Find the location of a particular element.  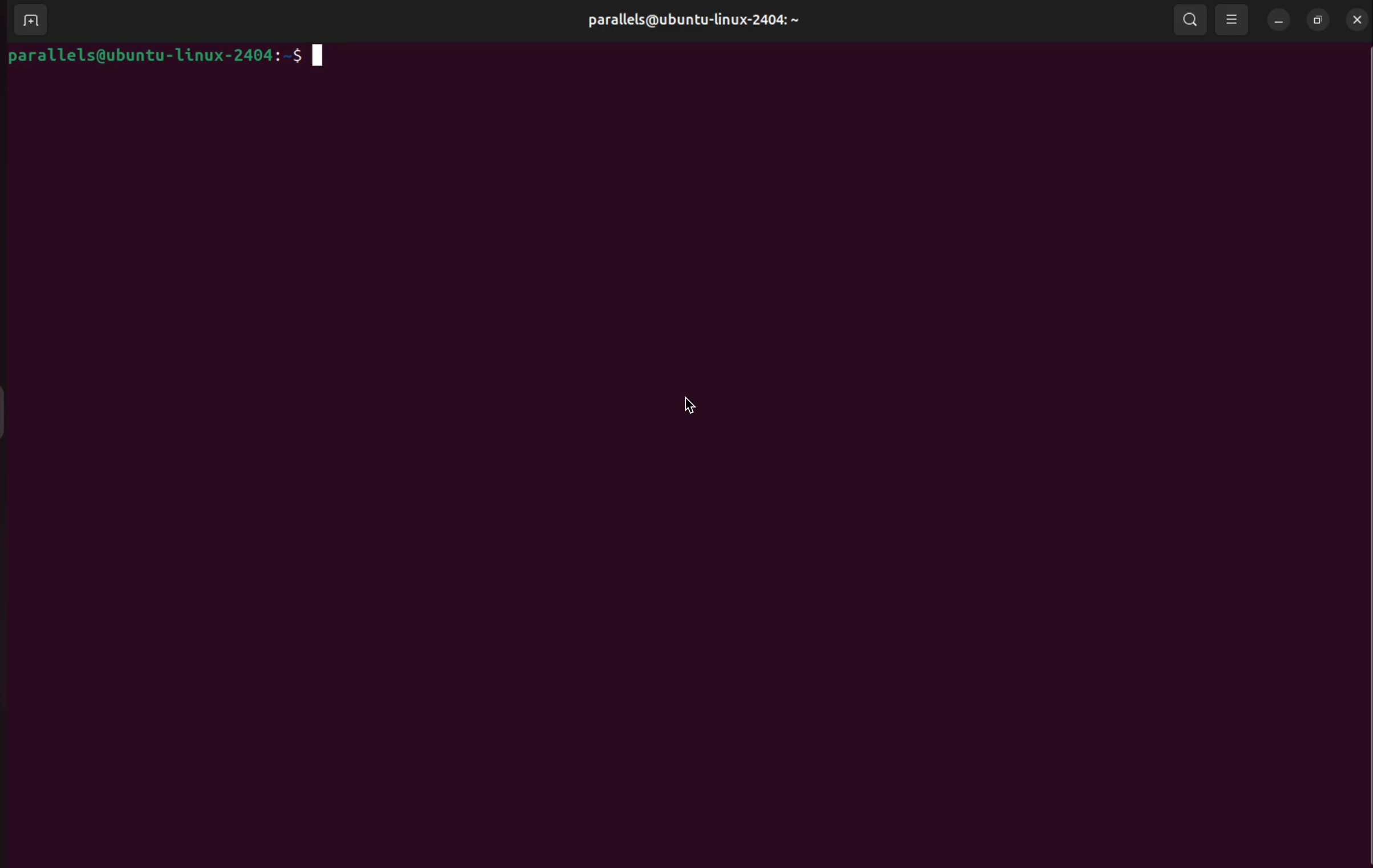

resize is located at coordinates (1319, 19).